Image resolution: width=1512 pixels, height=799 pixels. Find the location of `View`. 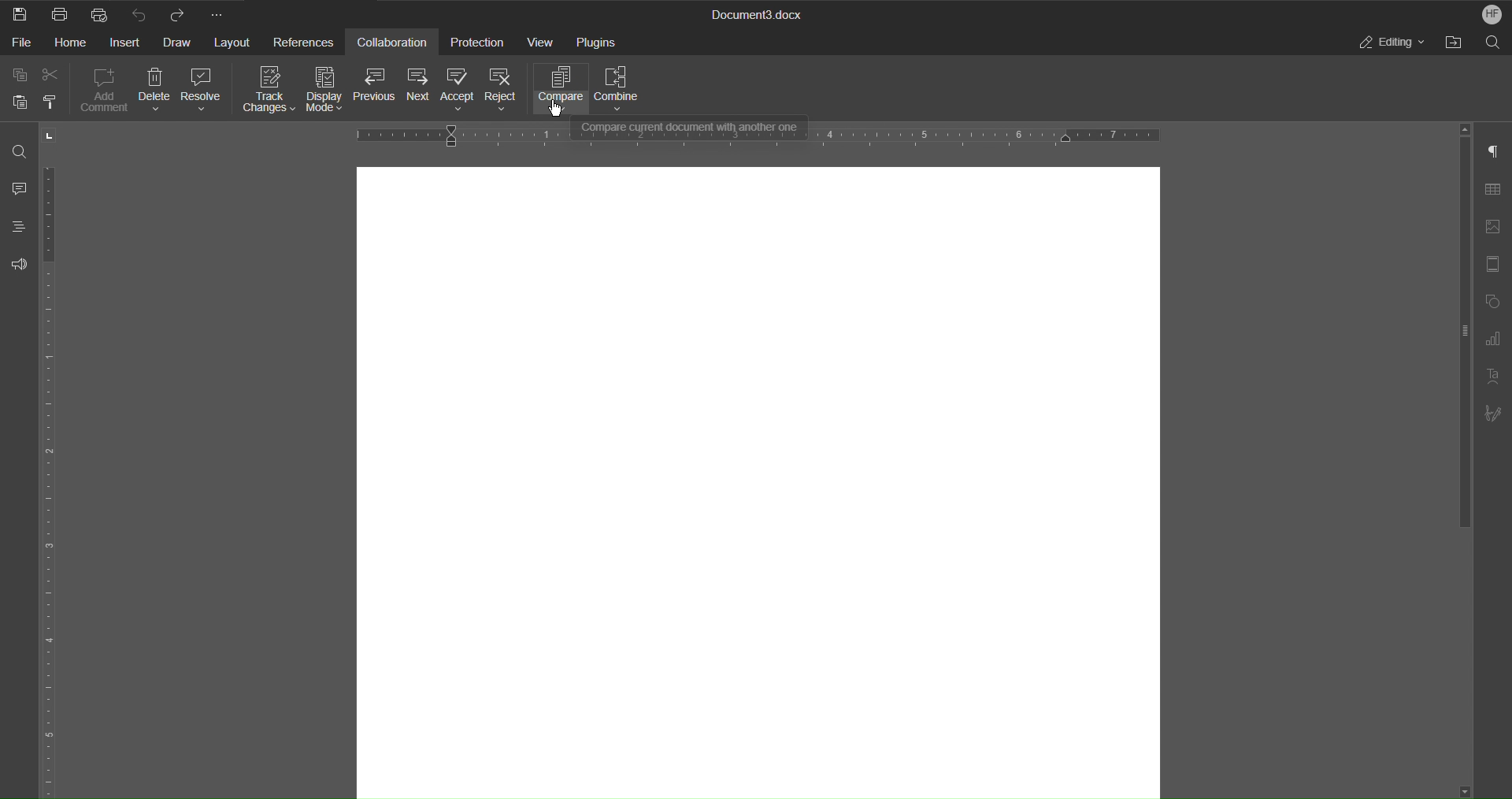

View is located at coordinates (543, 40).